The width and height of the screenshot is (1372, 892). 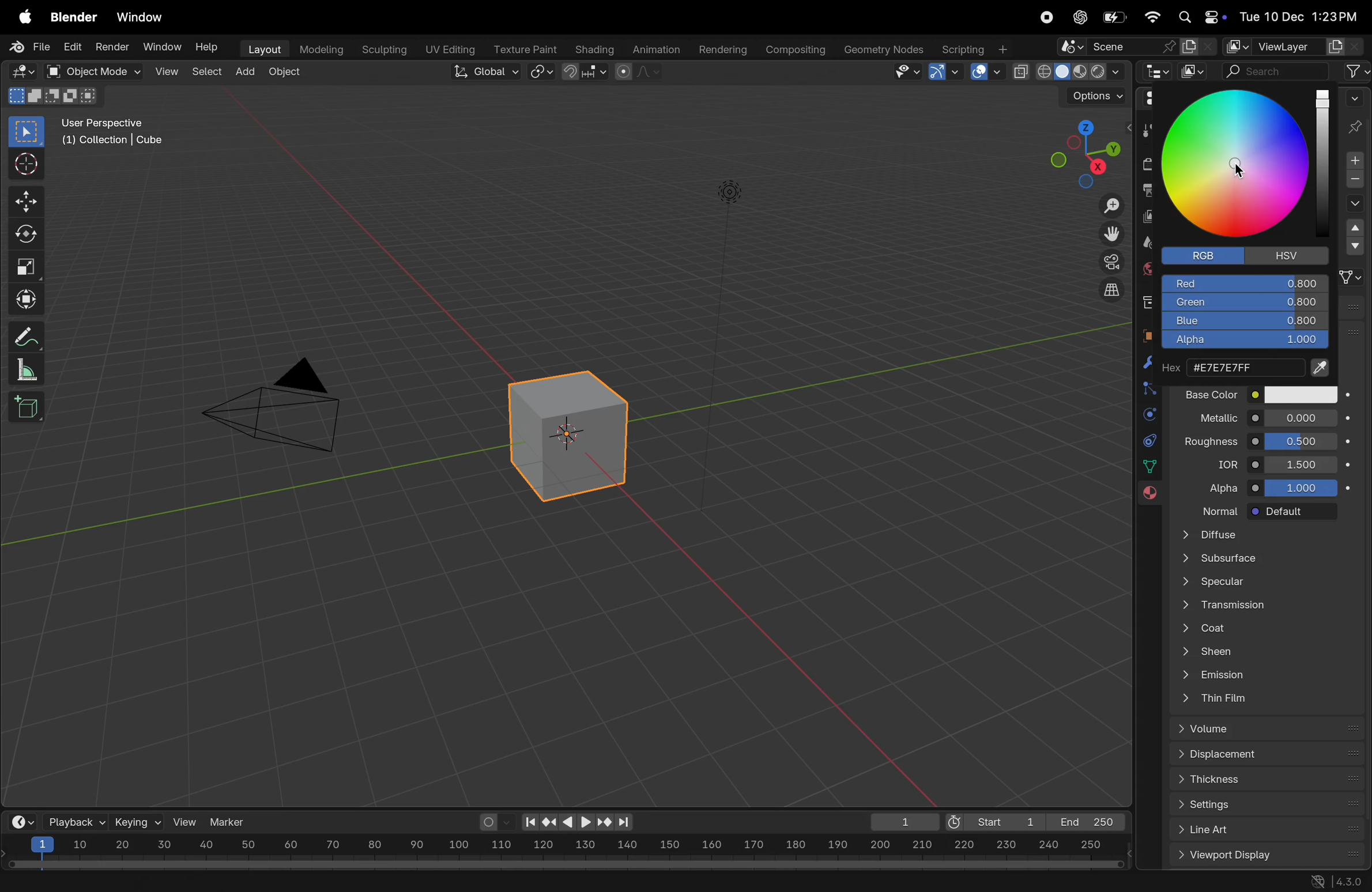 What do you see at coordinates (1144, 243) in the screenshot?
I see `scene` at bounding box center [1144, 243].